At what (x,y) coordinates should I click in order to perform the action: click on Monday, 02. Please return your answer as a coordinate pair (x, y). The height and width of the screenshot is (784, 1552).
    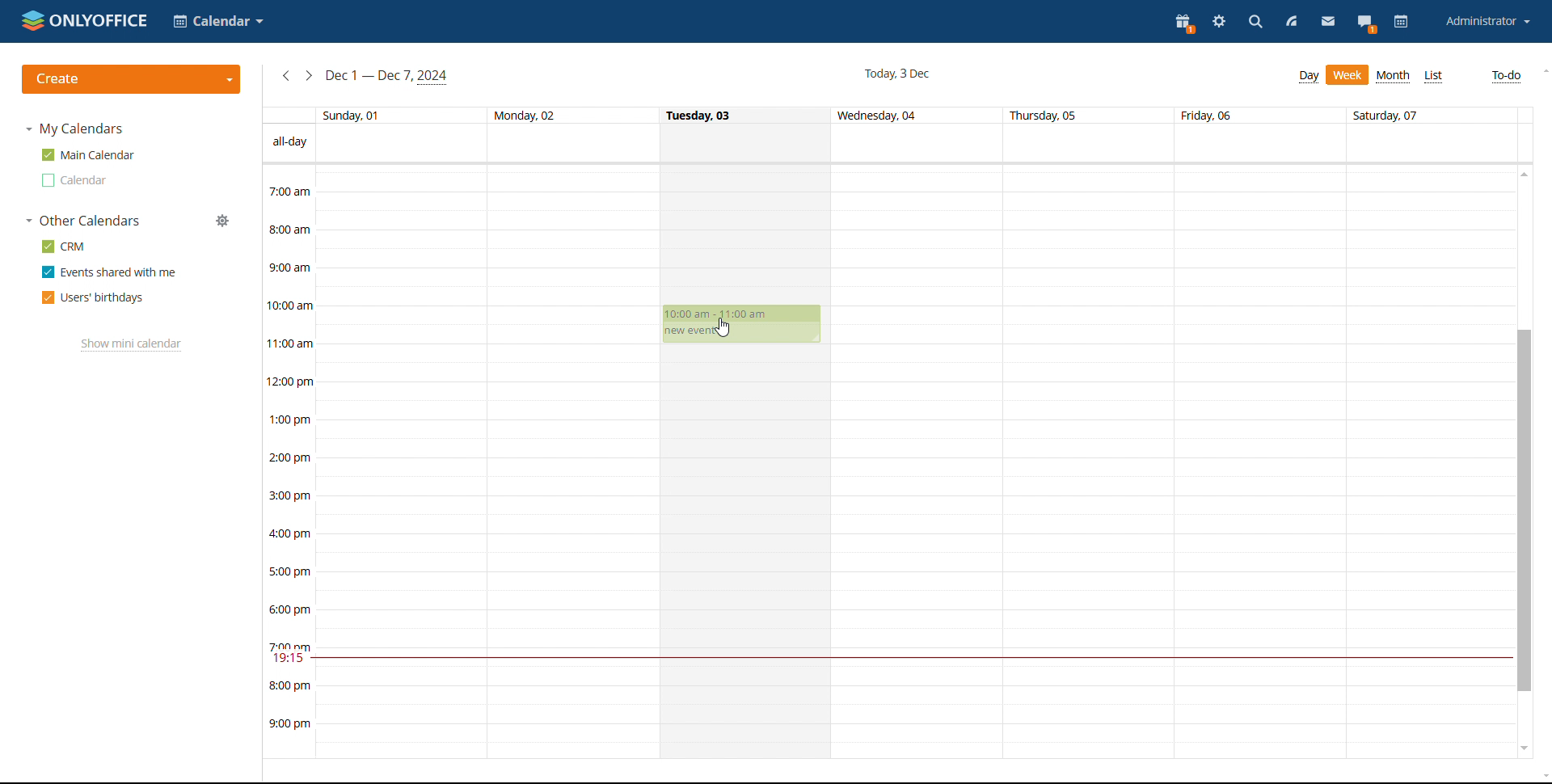
    Looking at the image, I should click on (524, 114).